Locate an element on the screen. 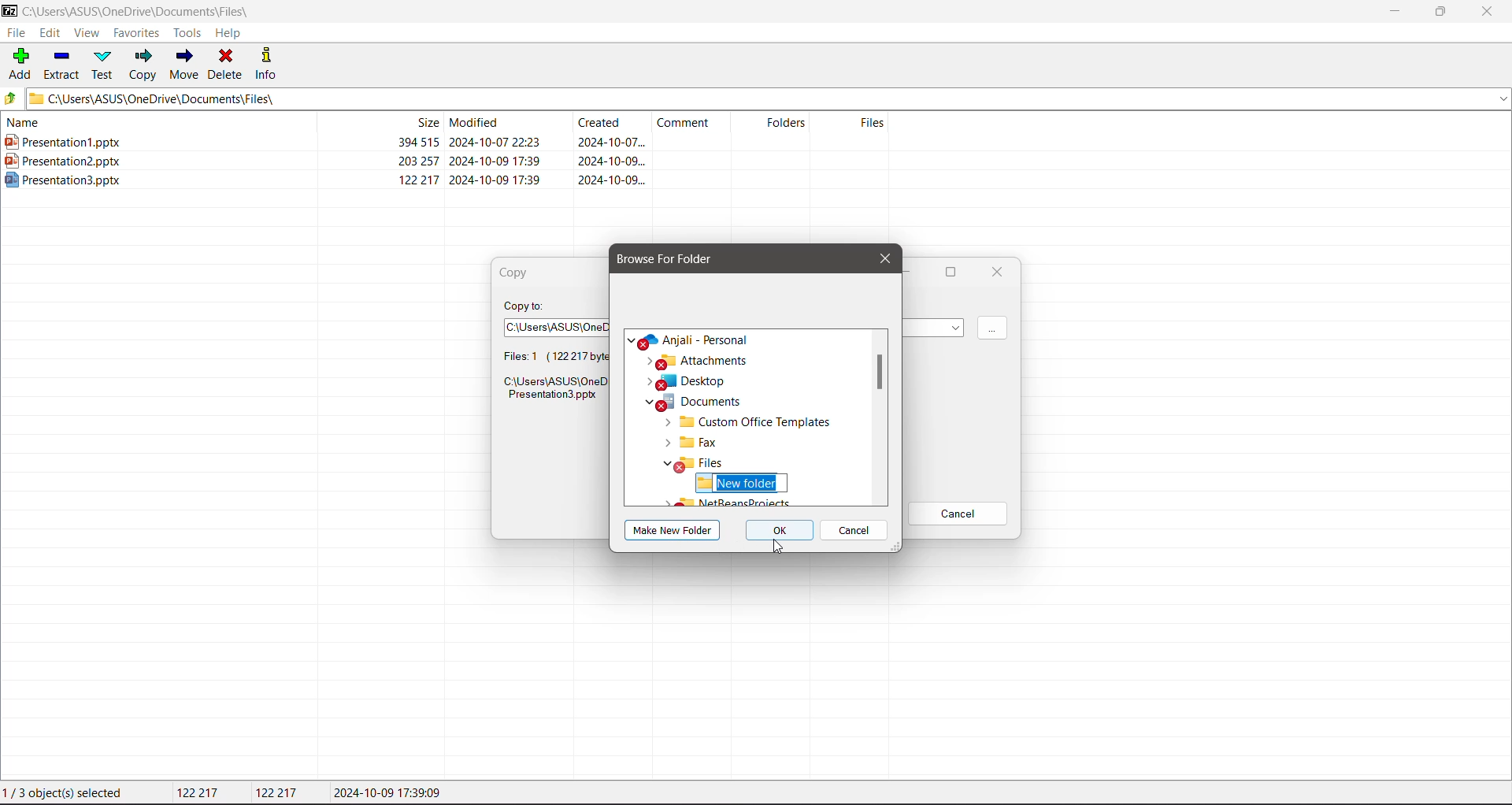 Image resolution: width=1512 pixels, height=805 pixels. Gallery is located at coordinates (672, 339).